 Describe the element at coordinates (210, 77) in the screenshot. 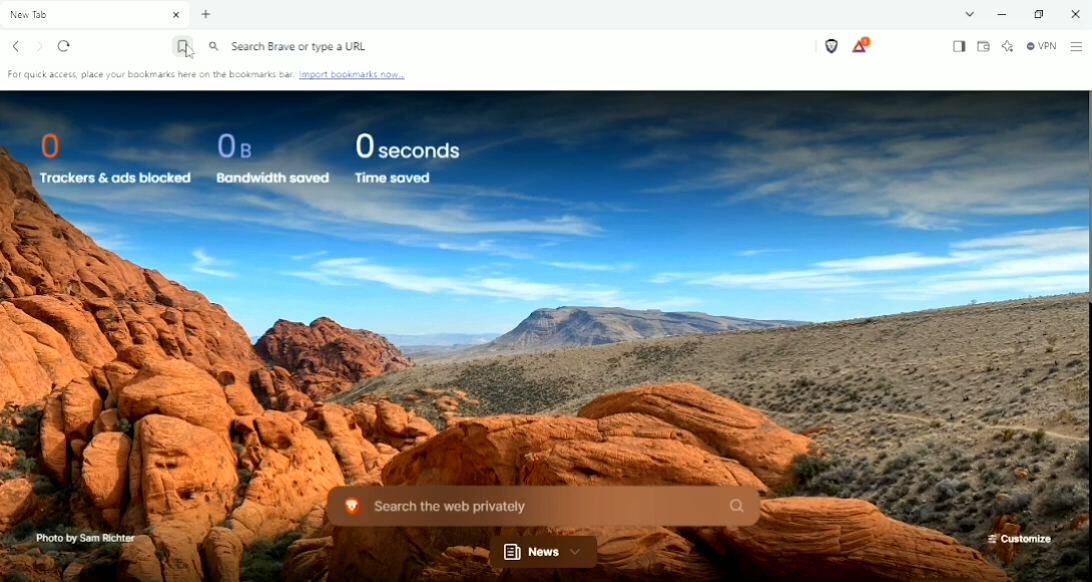

I see `For quick access, place your bookmarks here on the bookmarks bar.  Import bookmarks now` at that location.